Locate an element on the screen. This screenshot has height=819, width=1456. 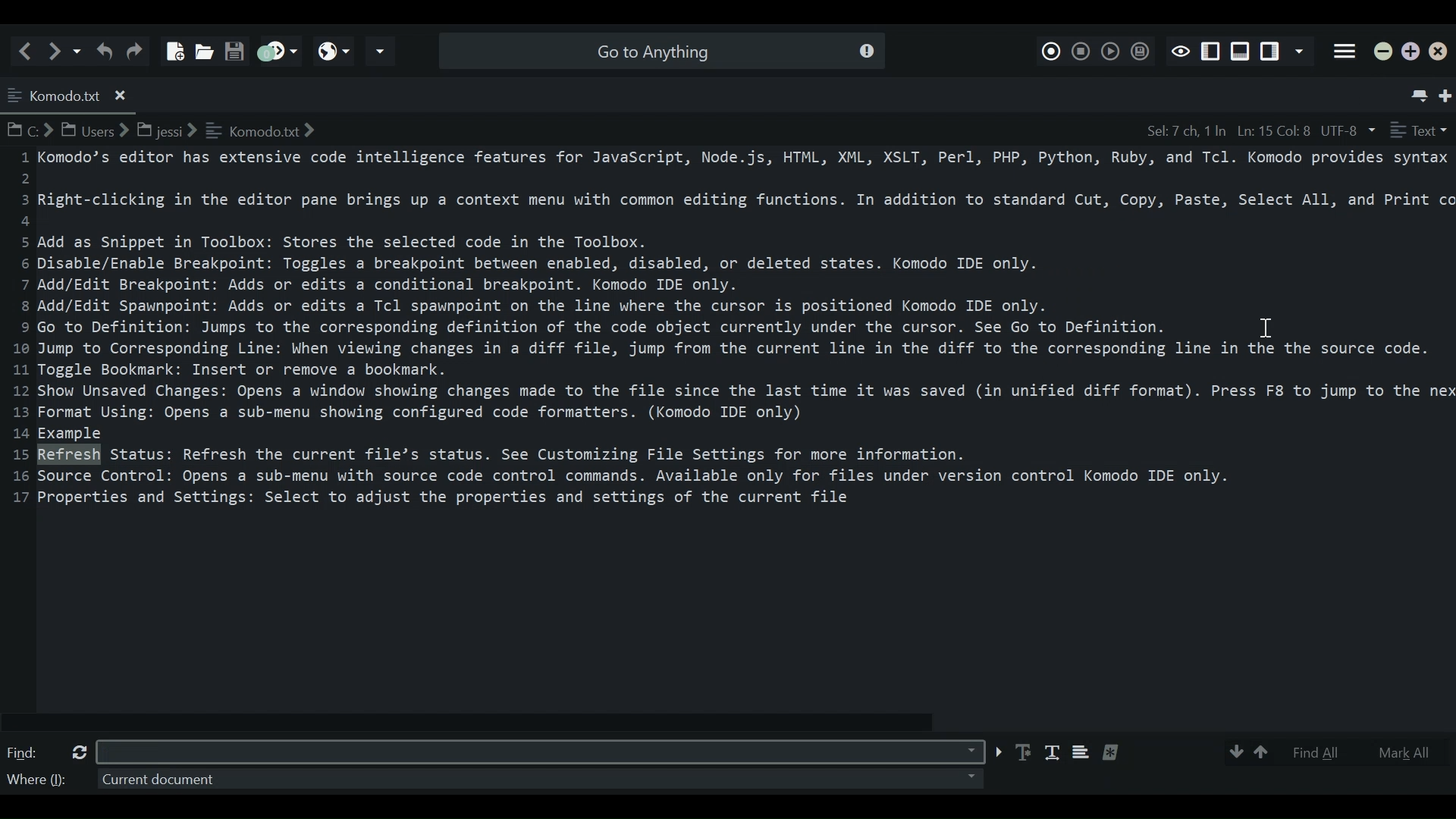
Arrow down is located at coordinates (1234, 752).